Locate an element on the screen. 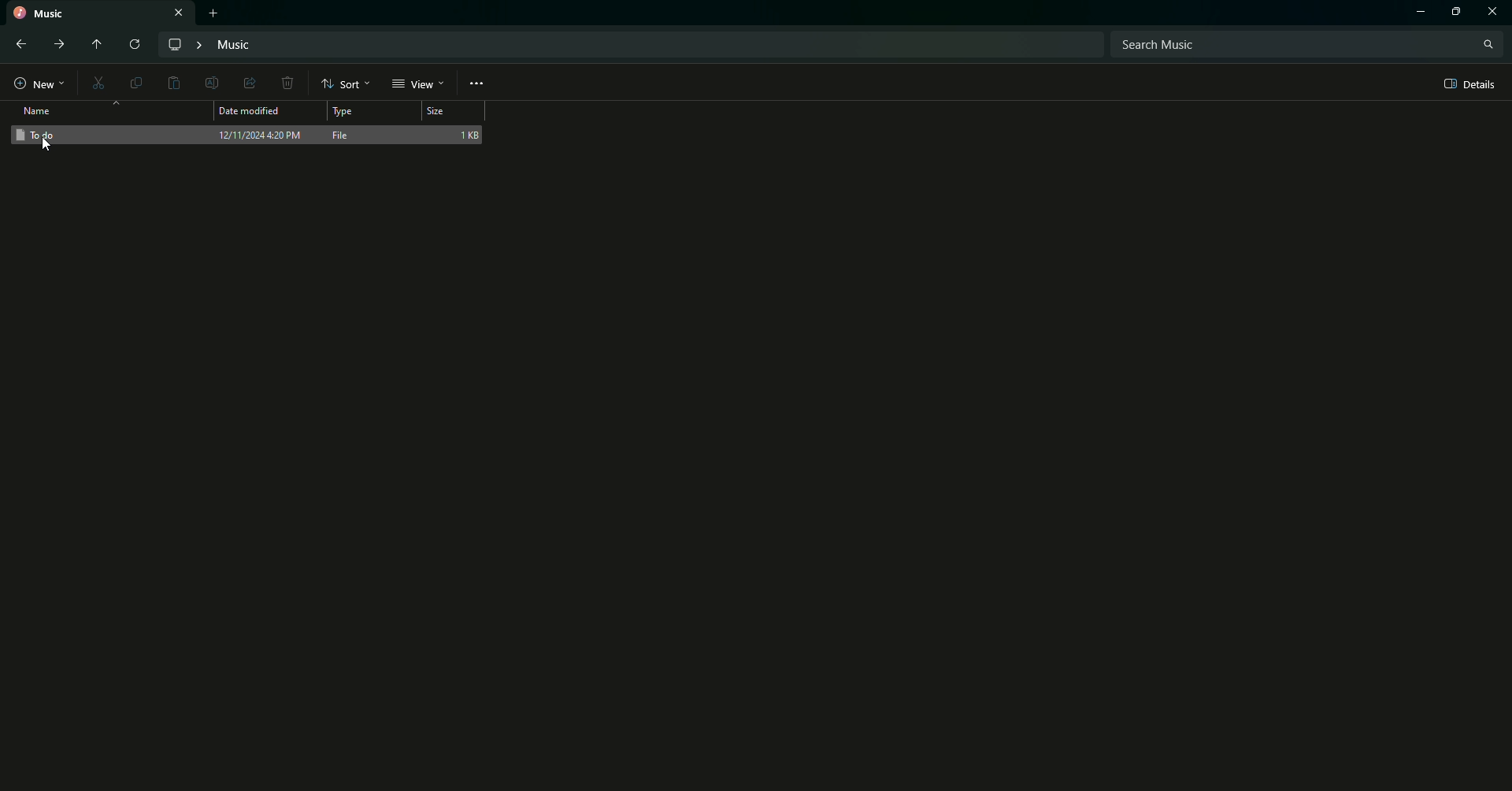 Image resolution: width=1512 pixels, height=791 pixels. Reload is located at coordinates (136, 44).